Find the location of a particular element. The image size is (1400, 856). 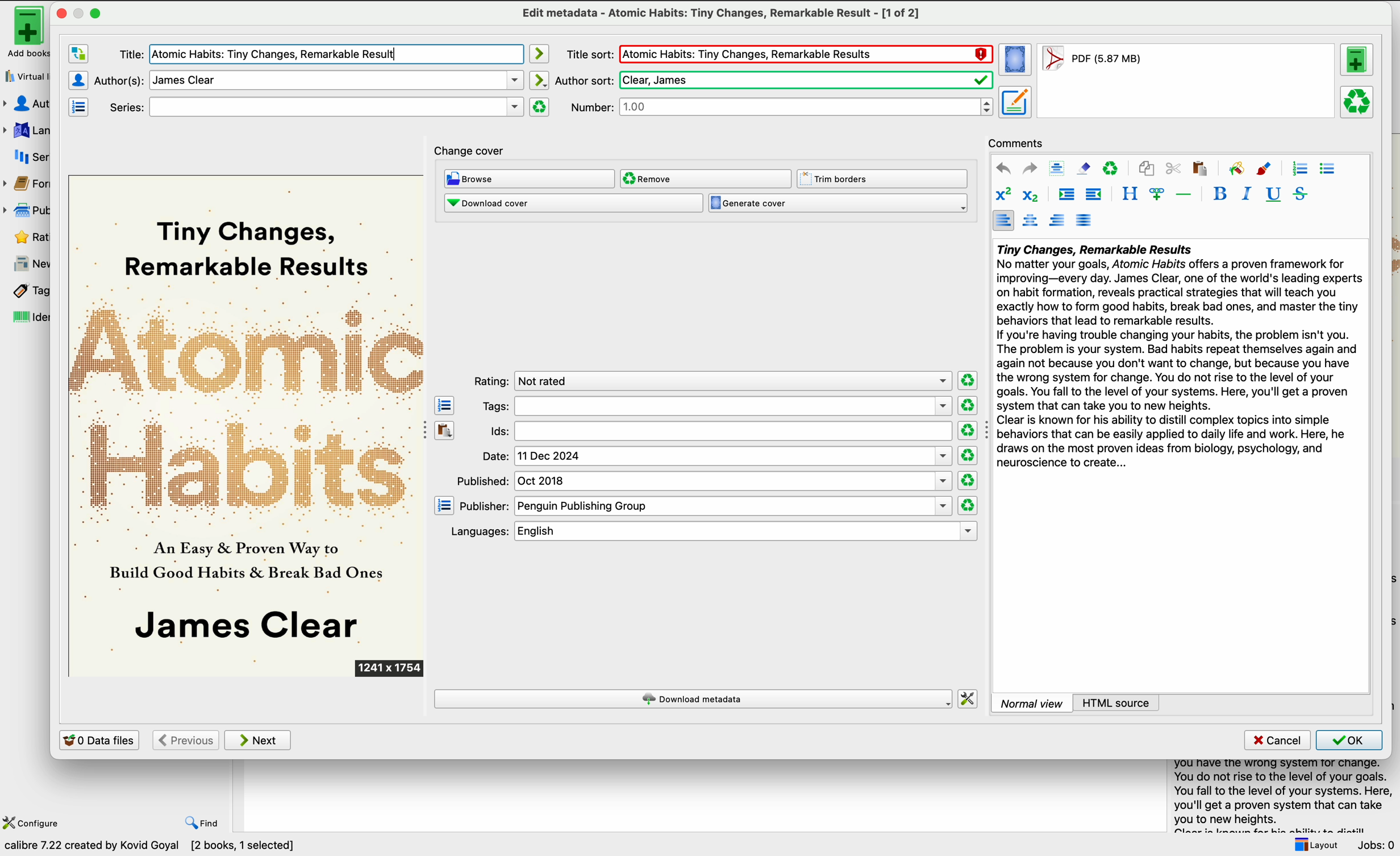

unordered list is located at coordinates (1328, 169).